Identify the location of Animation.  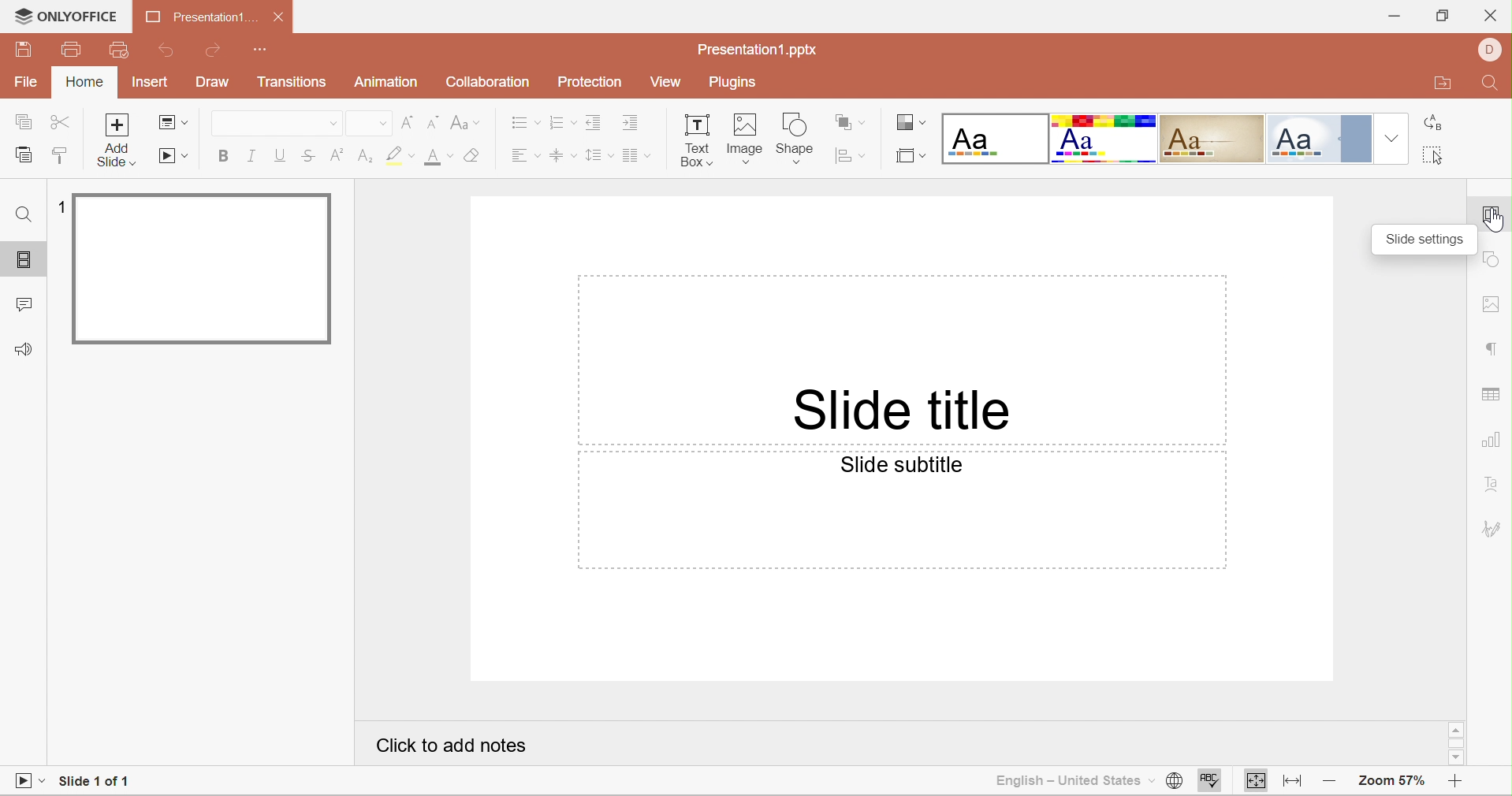
(390, 84).